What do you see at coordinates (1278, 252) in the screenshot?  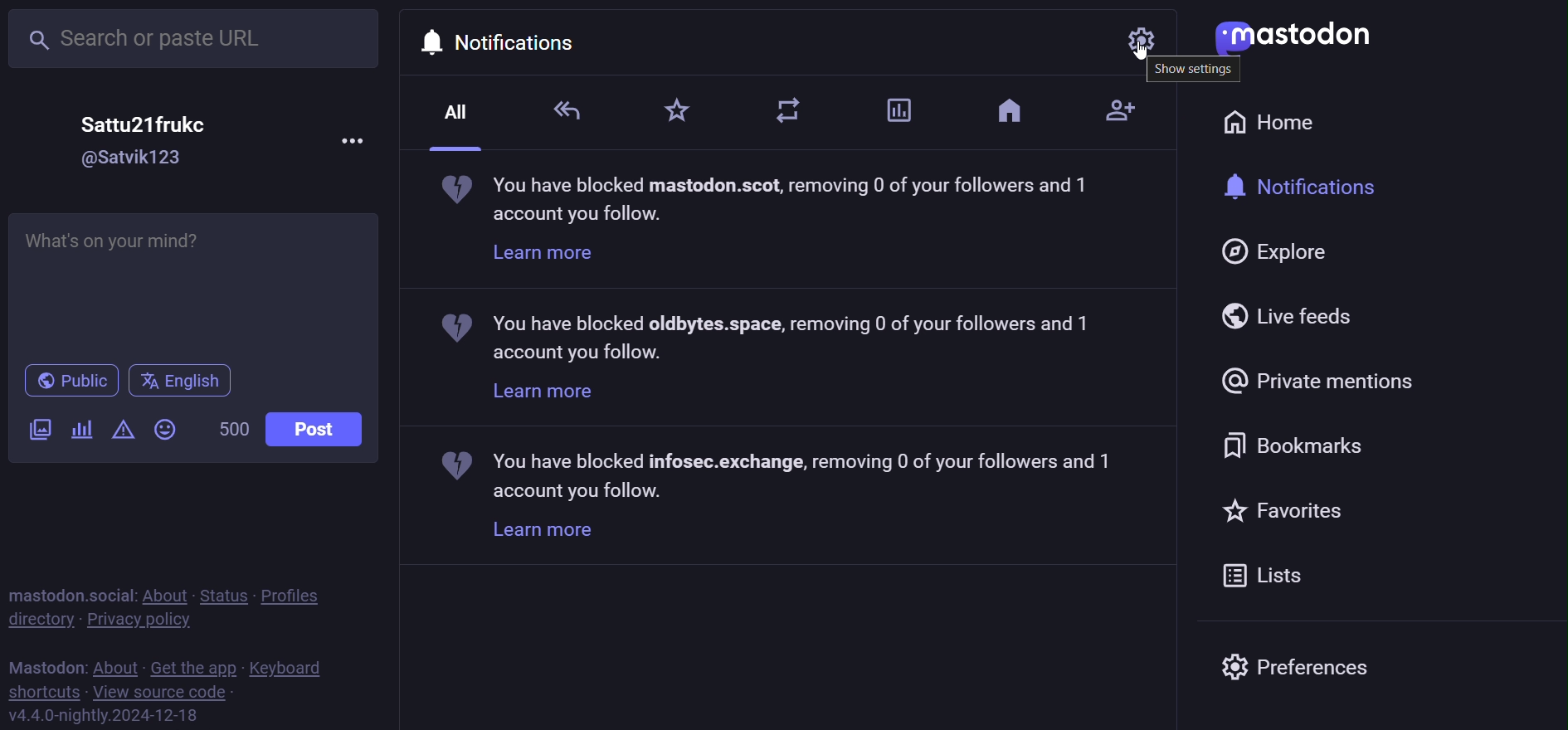 I see `explore` at bounding box center [1278, 252].